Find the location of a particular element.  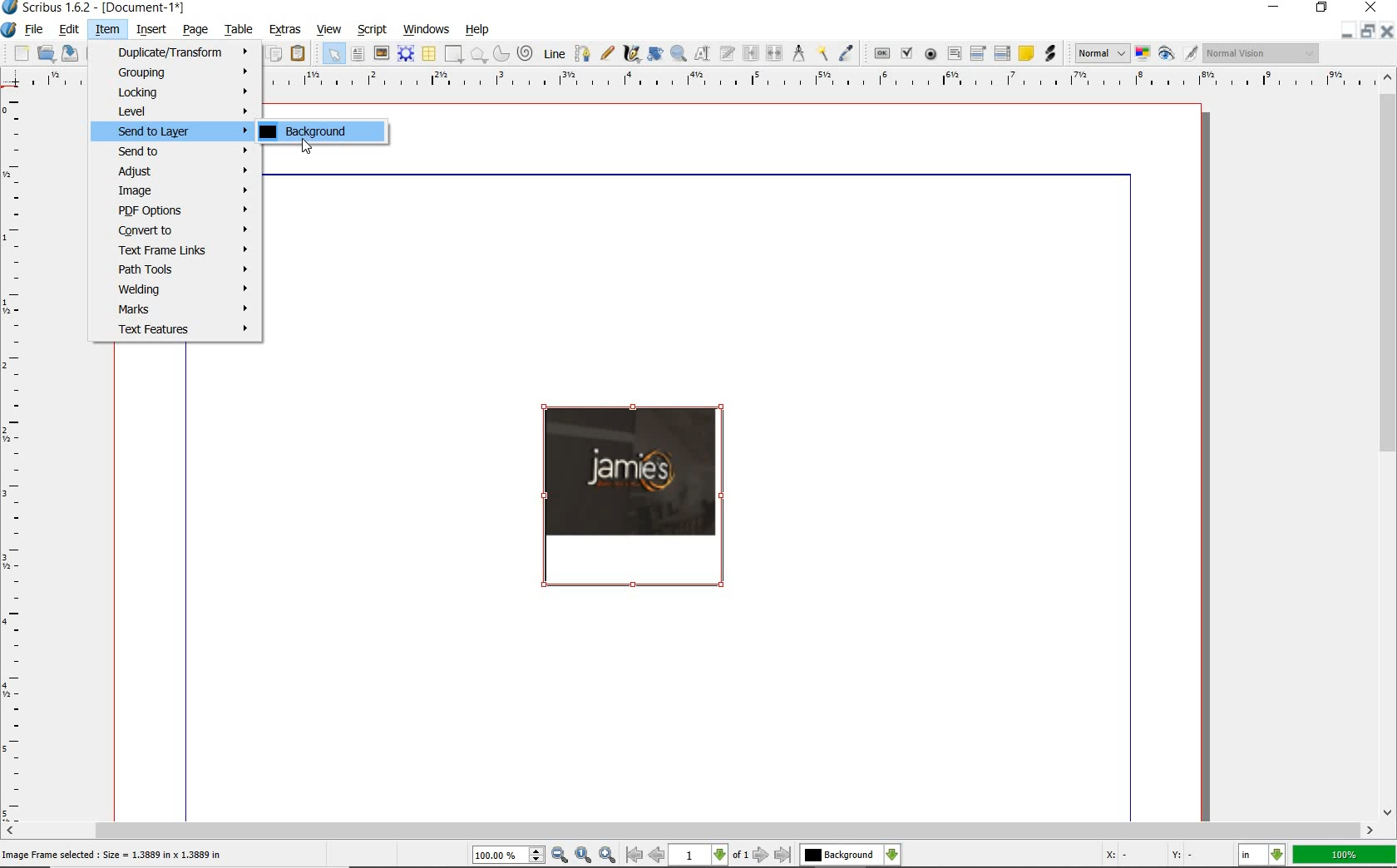

windows is located at coordinates (429, 28).